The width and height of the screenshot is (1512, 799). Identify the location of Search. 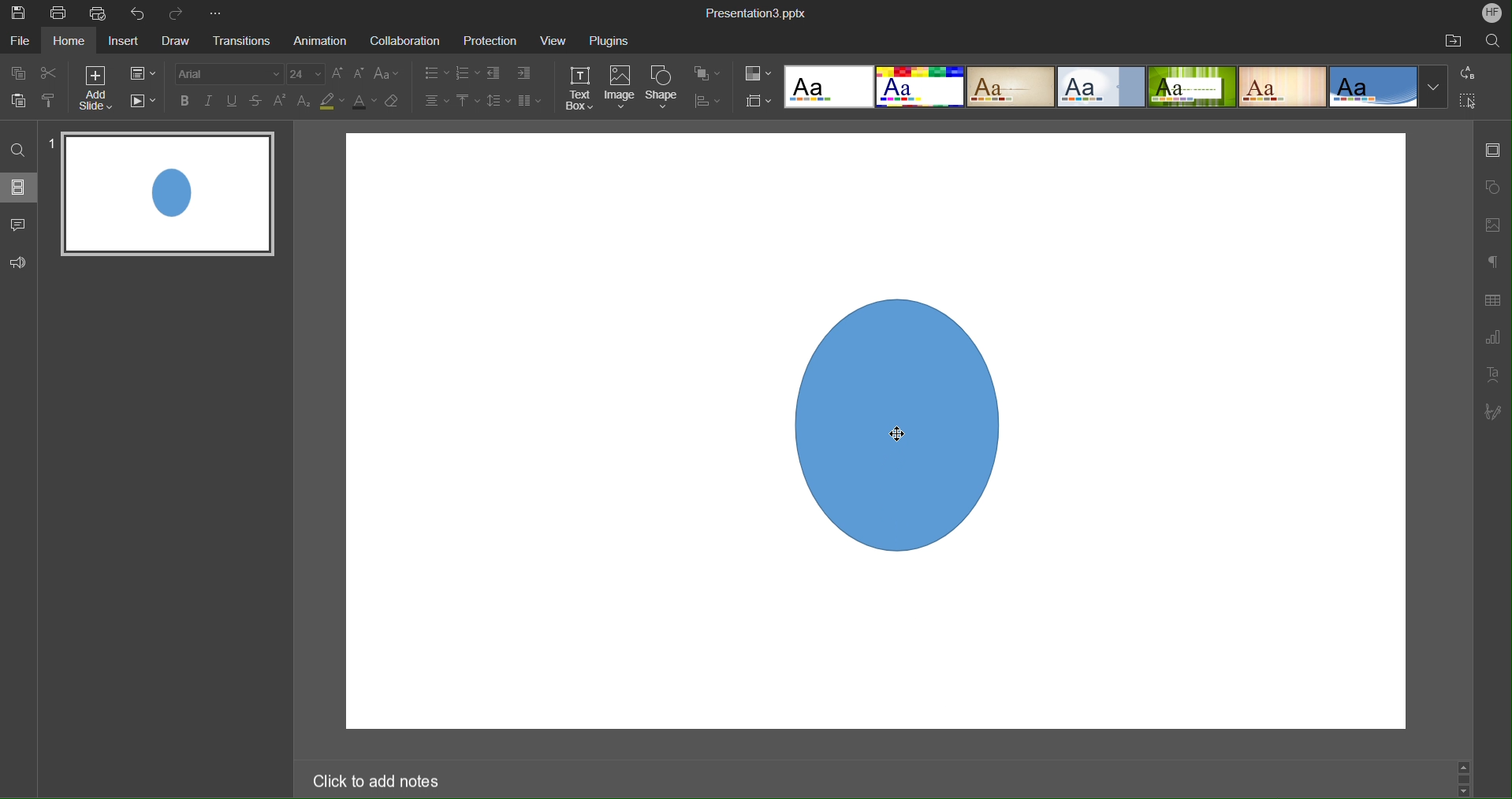
(1493, 43).